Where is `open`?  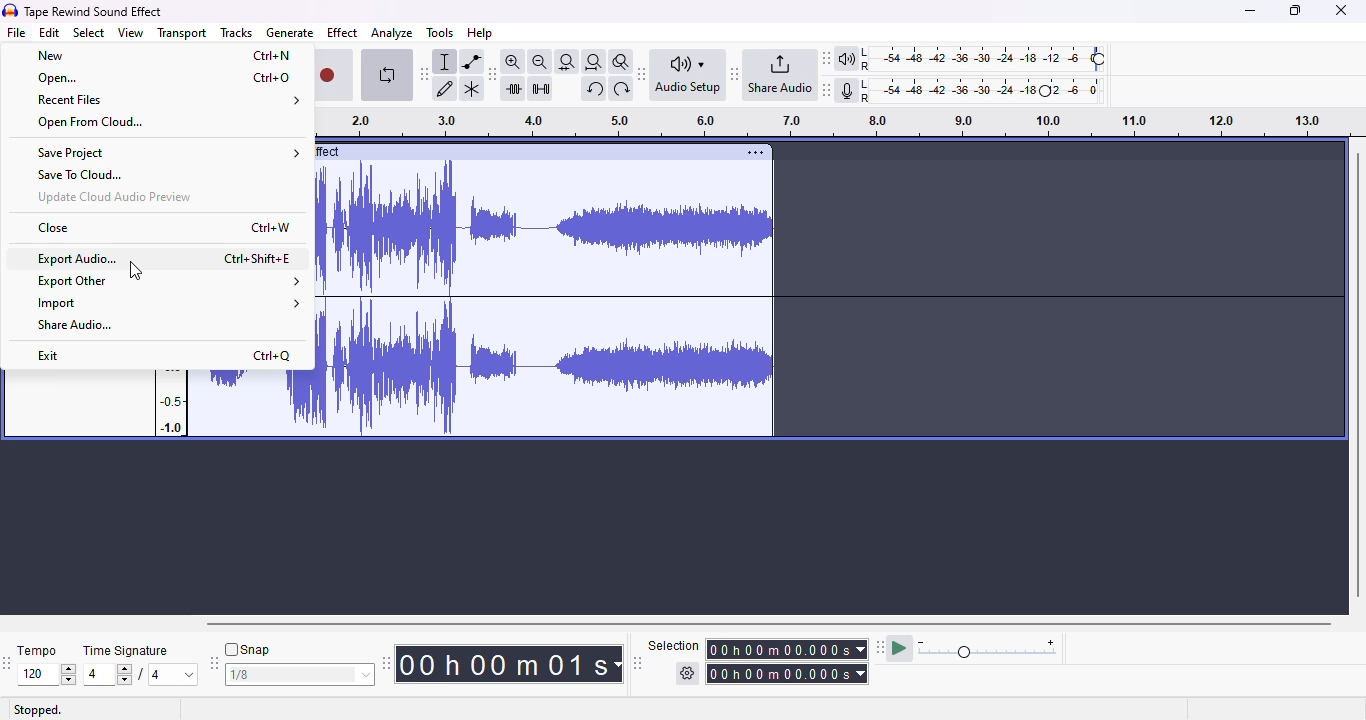 open is located at coordinates (57, 77).